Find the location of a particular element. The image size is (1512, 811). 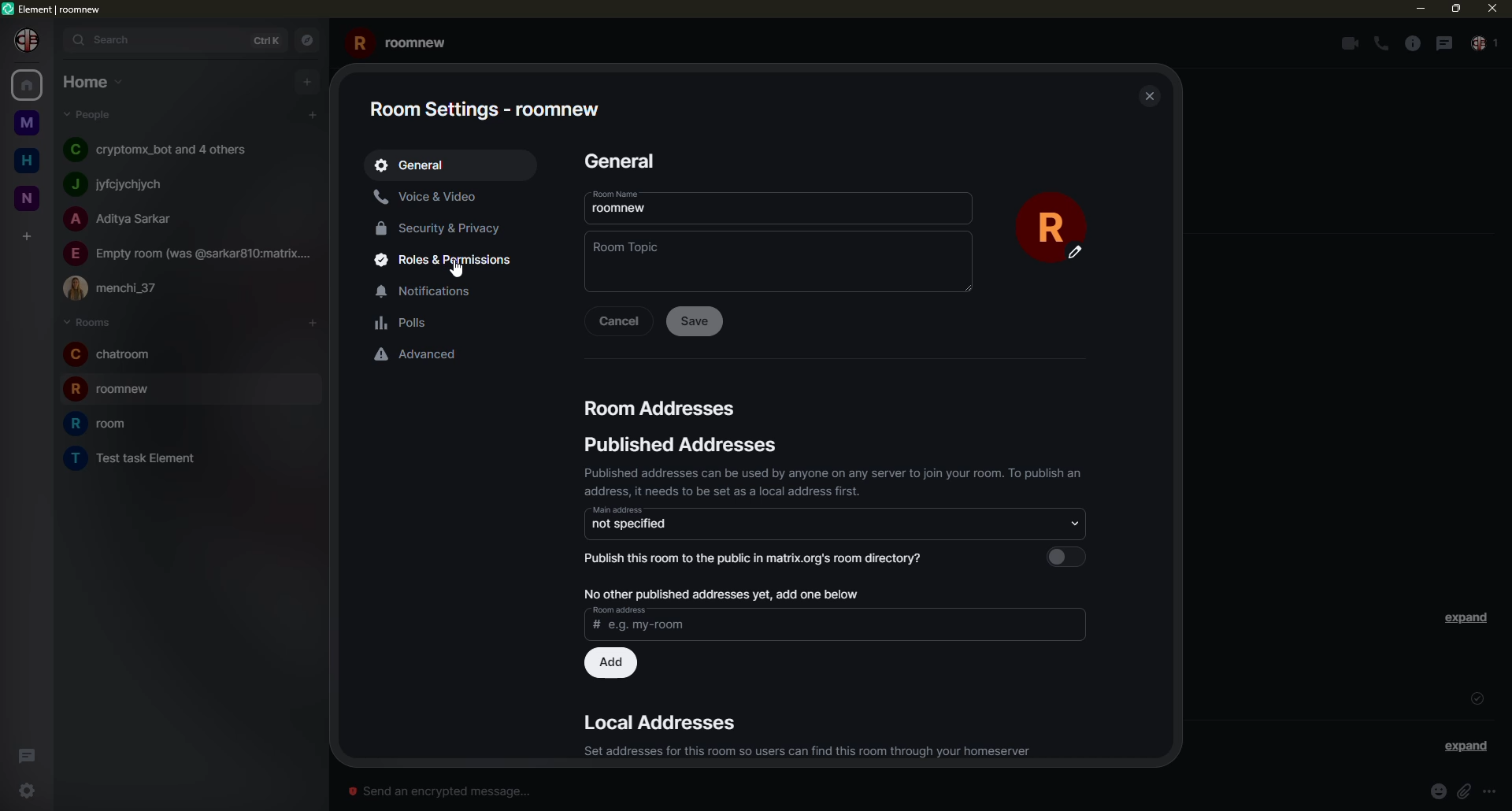

sent is located at coordinates (1477, 698).